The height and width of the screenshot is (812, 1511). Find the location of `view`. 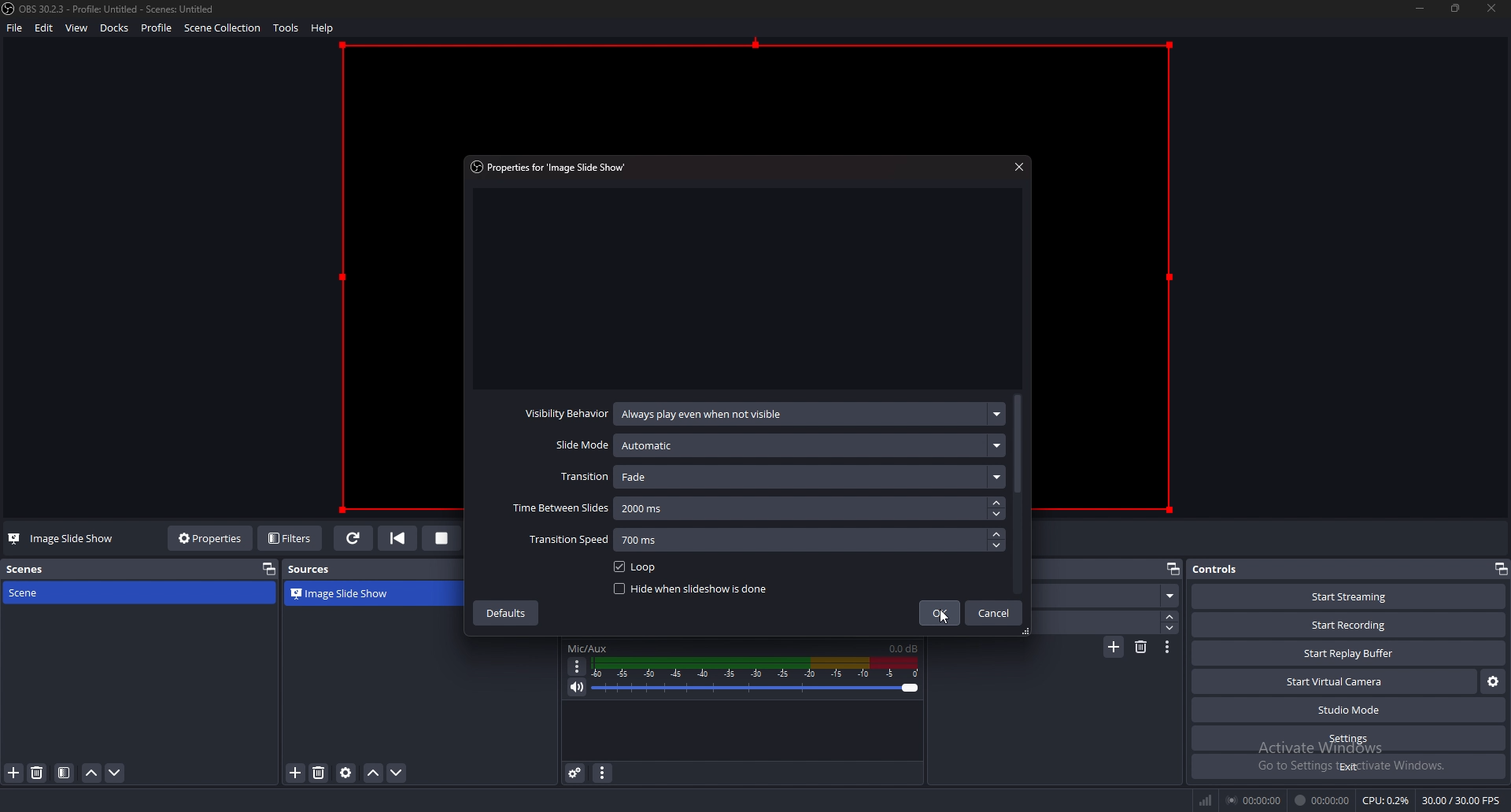

view is located at coordinates (77, 28).